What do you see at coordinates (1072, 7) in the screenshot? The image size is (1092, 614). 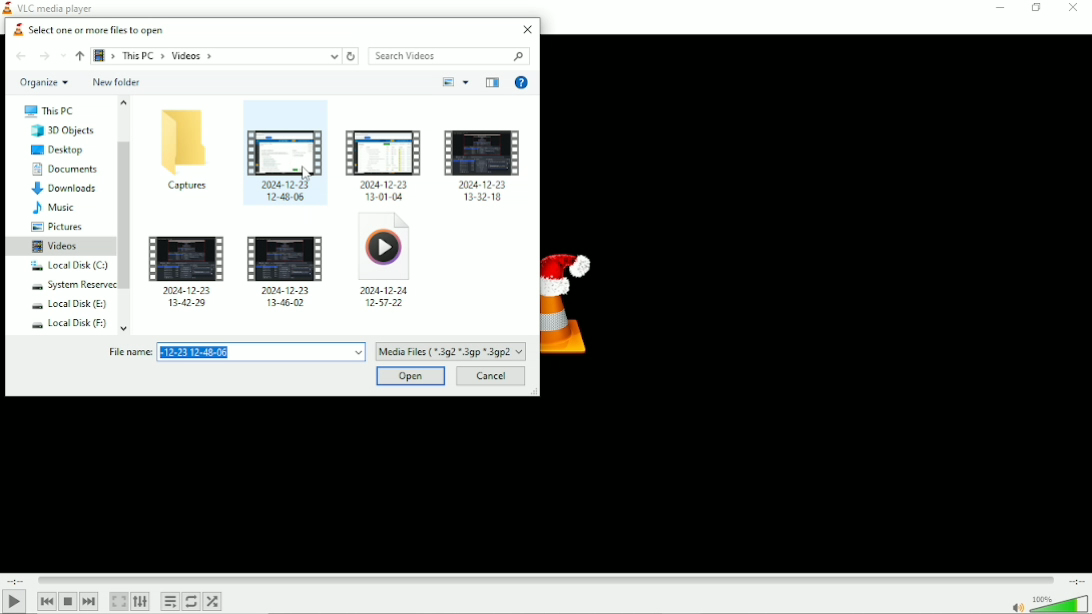 I see `Close` at bounding box center [1072, 7].